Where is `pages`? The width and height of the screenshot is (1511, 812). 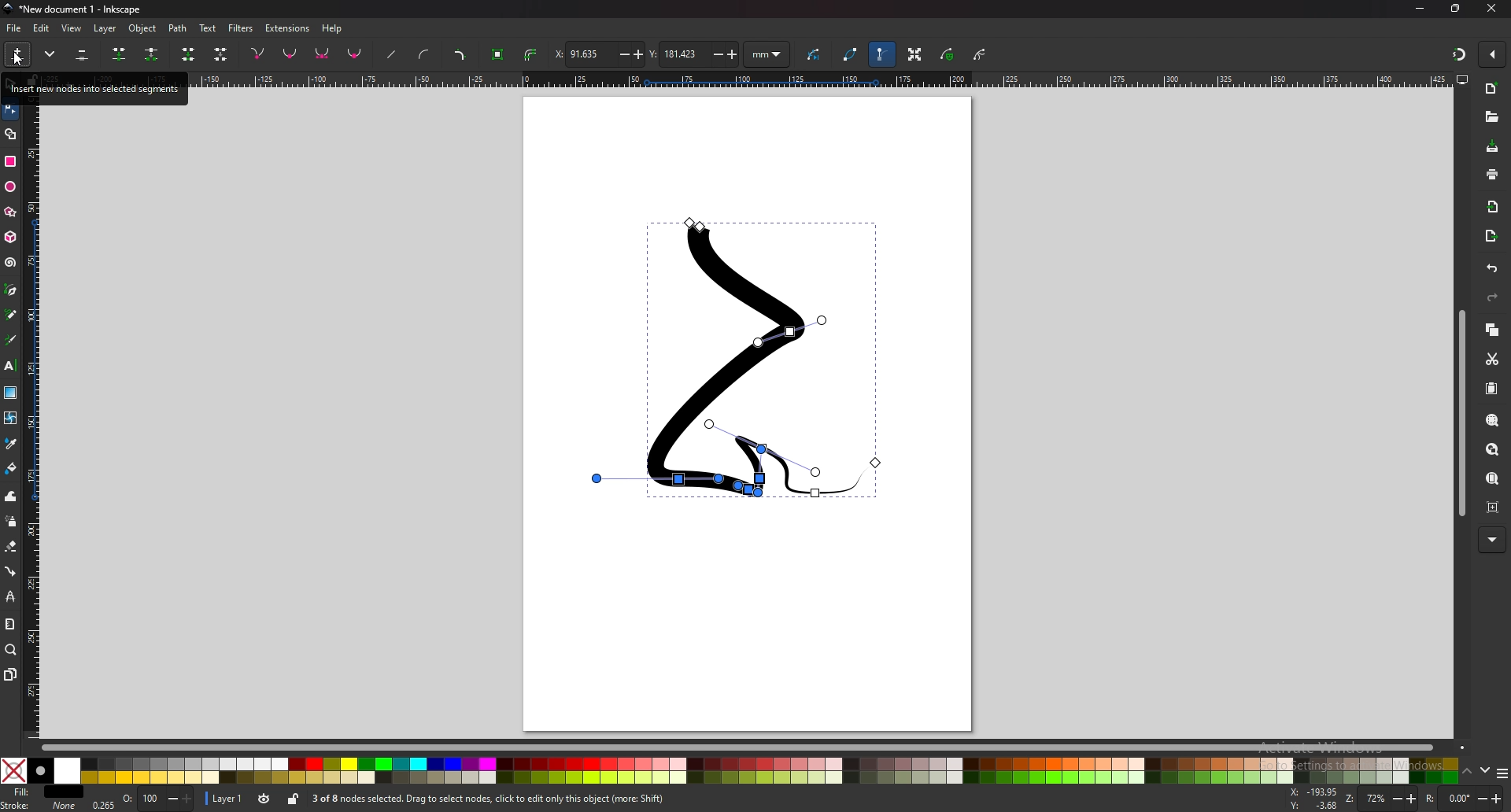
pages is located at coordinates (10, 675).